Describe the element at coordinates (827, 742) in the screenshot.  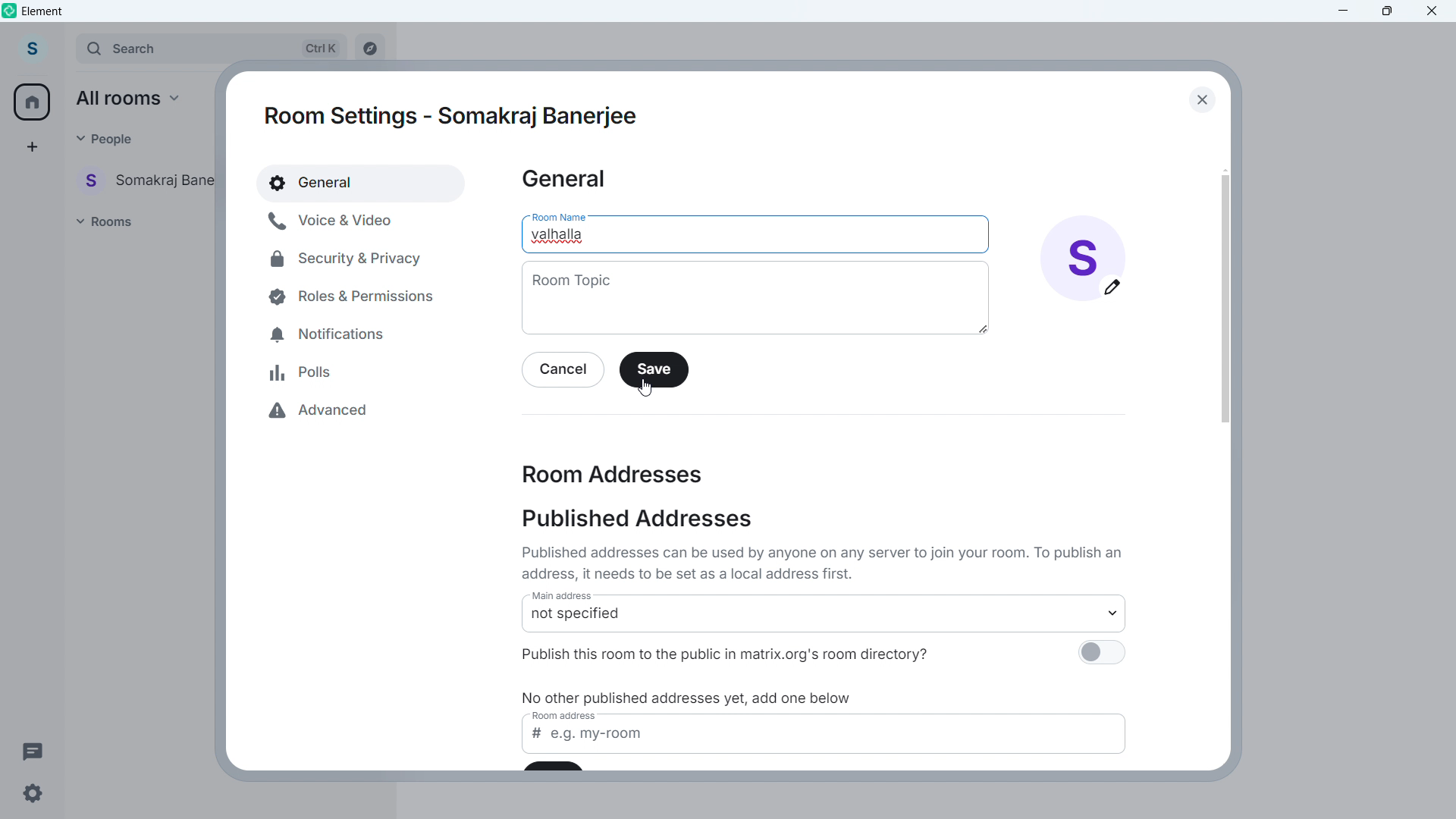
I see `# e.g my-room` at that location.